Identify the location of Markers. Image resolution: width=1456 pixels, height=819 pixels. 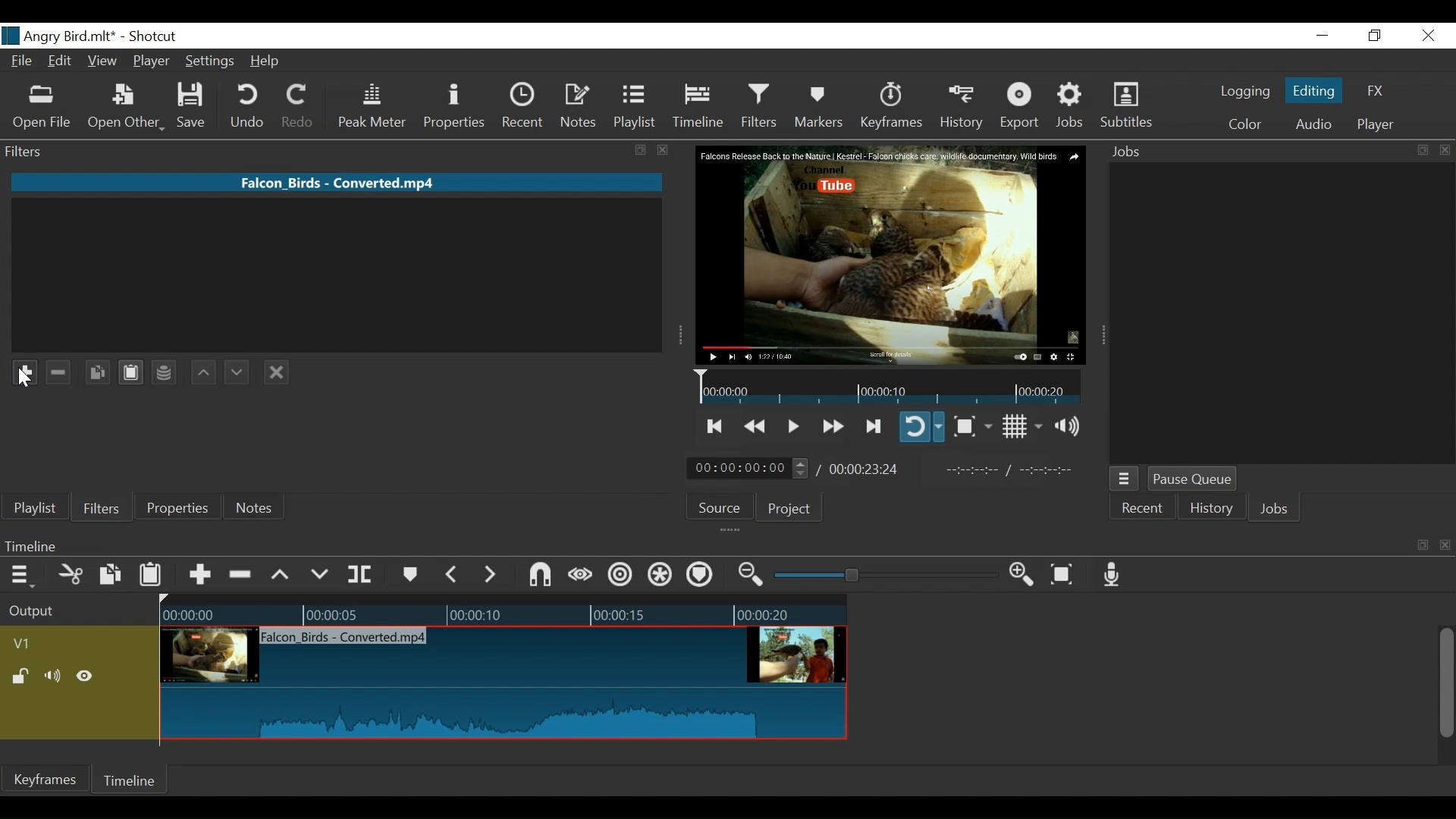
(818, 106).